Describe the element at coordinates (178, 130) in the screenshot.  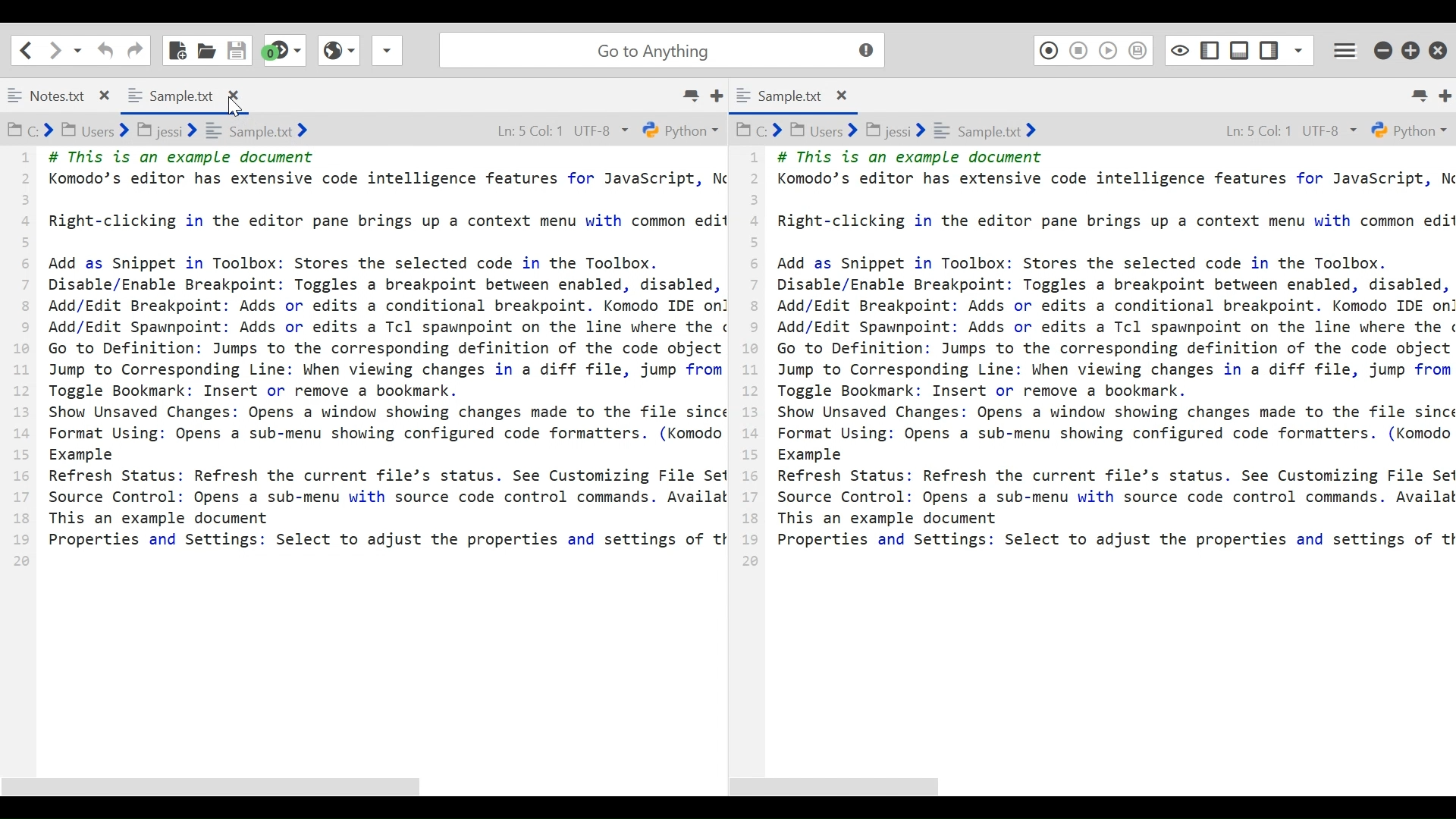
I see `C:> Users> jessi> sample.txt>` at that location.